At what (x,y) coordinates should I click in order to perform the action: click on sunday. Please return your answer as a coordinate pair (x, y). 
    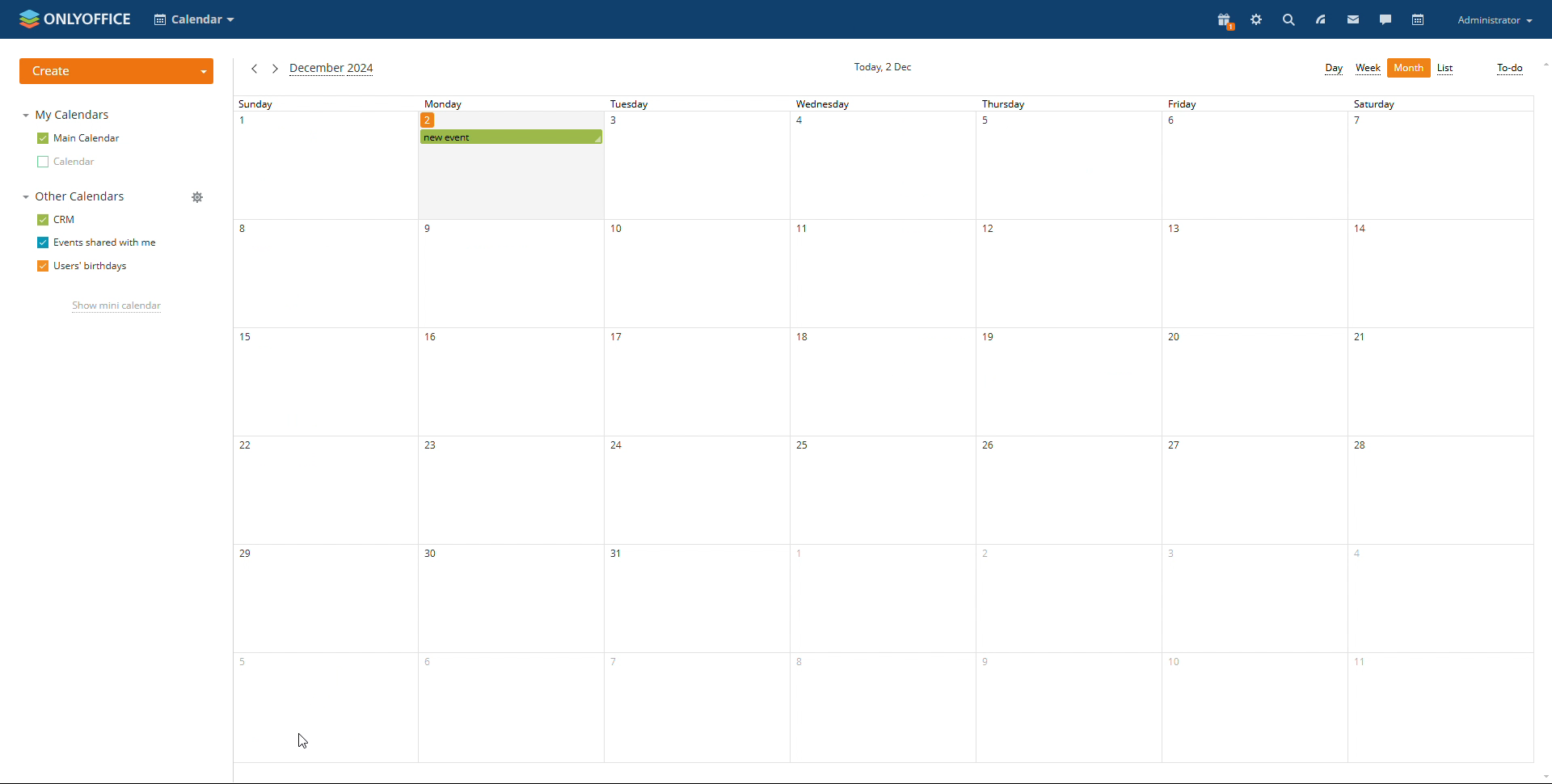
    Looking at the image, I should click on (322, 429).